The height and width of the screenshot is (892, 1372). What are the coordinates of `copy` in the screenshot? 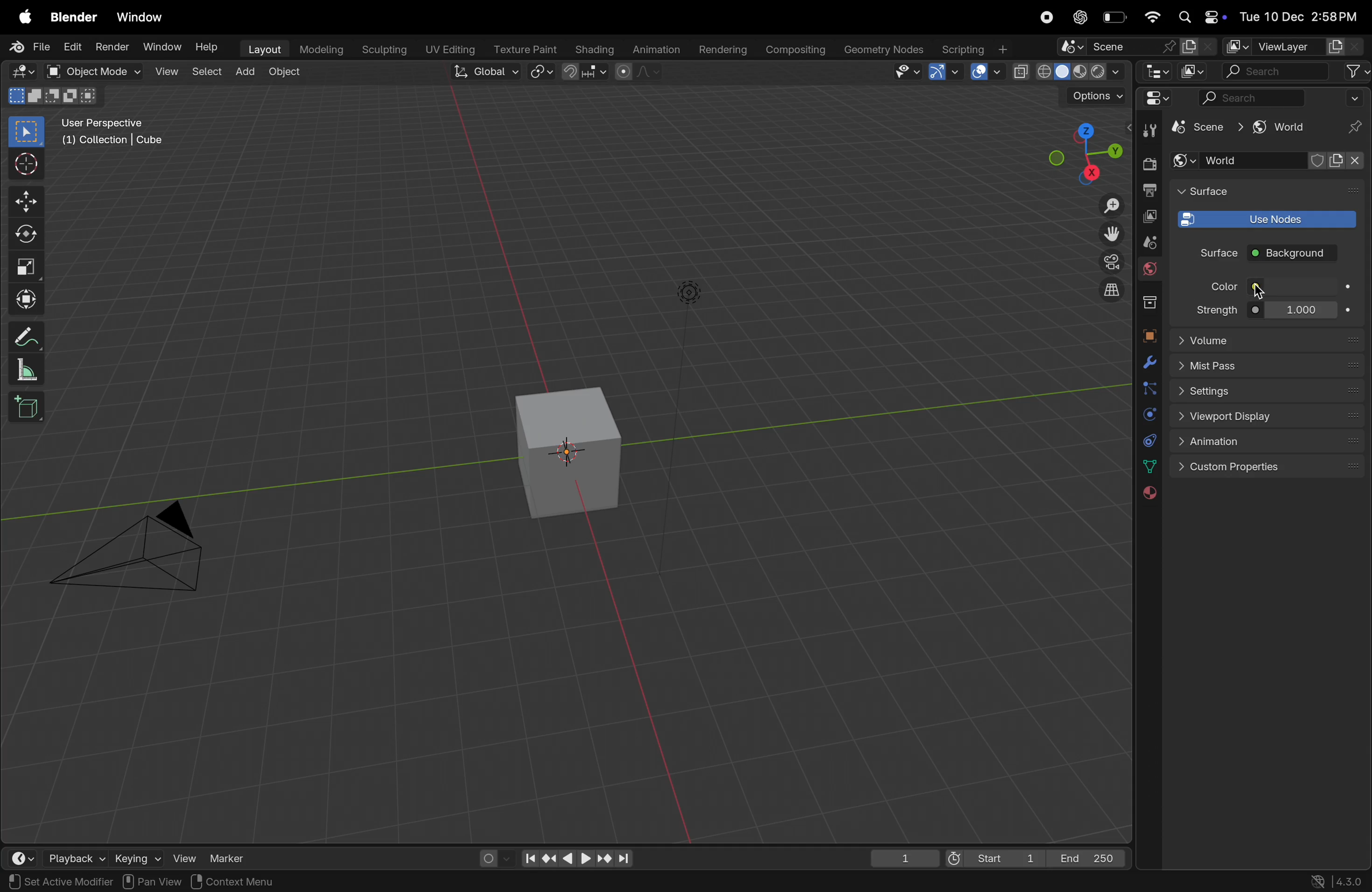 It's located at (1149, 217).